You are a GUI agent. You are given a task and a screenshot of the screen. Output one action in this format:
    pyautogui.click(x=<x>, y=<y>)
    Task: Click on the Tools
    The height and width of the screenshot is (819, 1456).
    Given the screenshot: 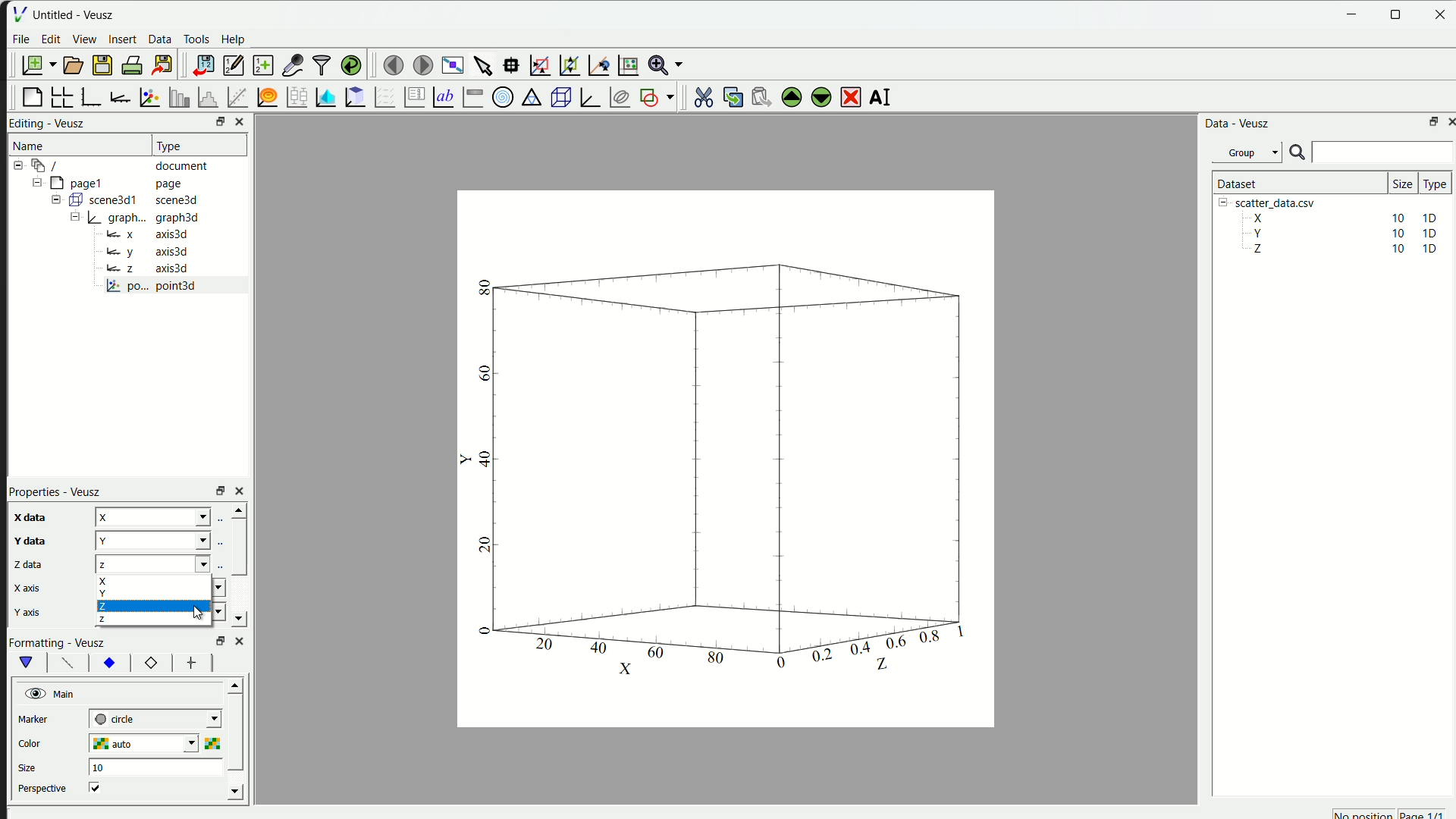 What is the action you would take?
    pyautogui.click(x=196, y=38)
    